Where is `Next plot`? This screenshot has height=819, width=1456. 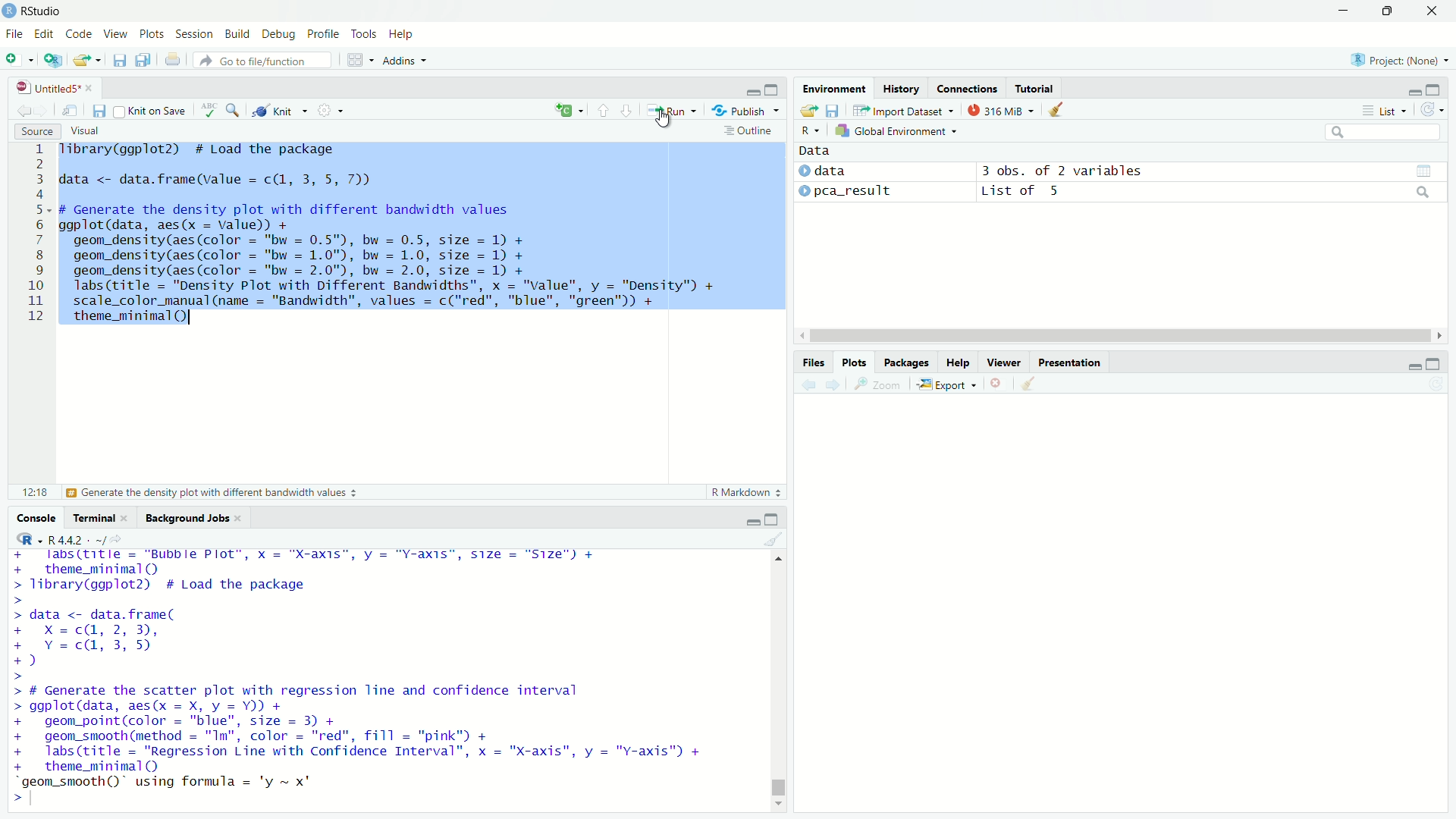
Next plot is located at coordinates (832, 384).